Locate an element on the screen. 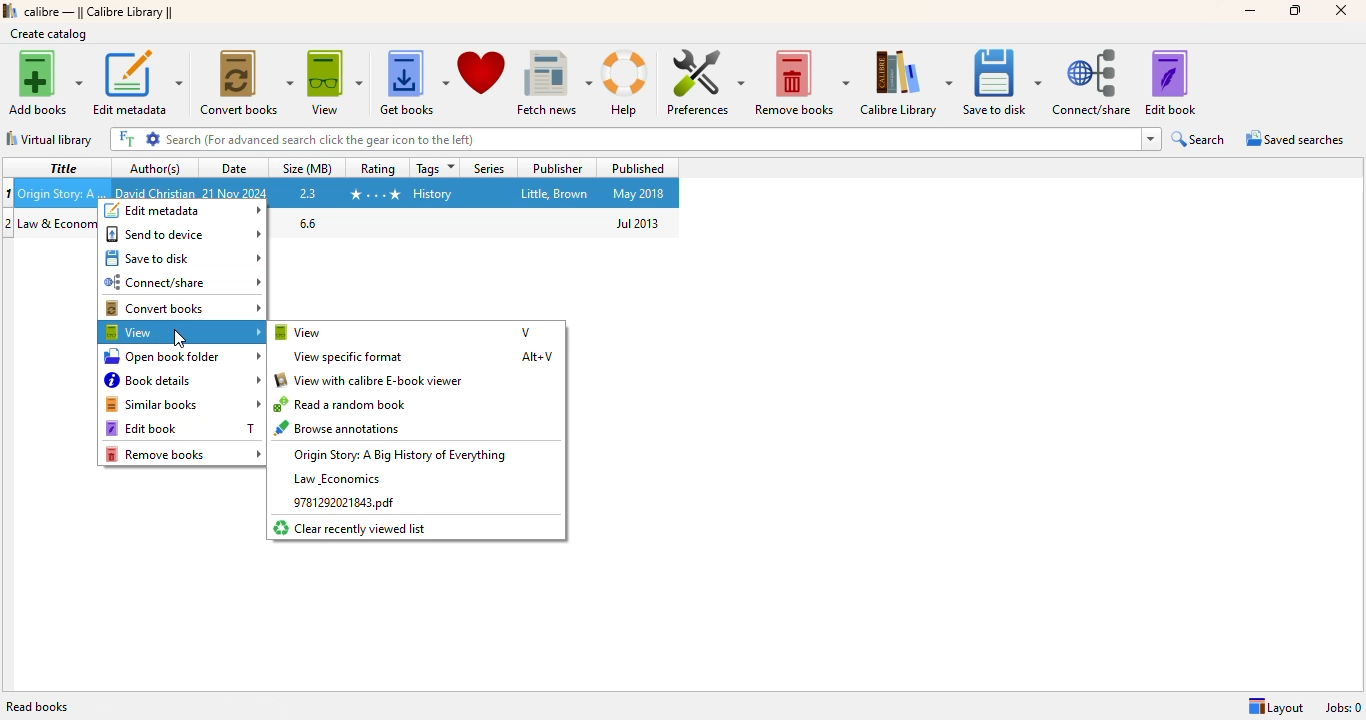  layout is located at coordinates (1275, 708).